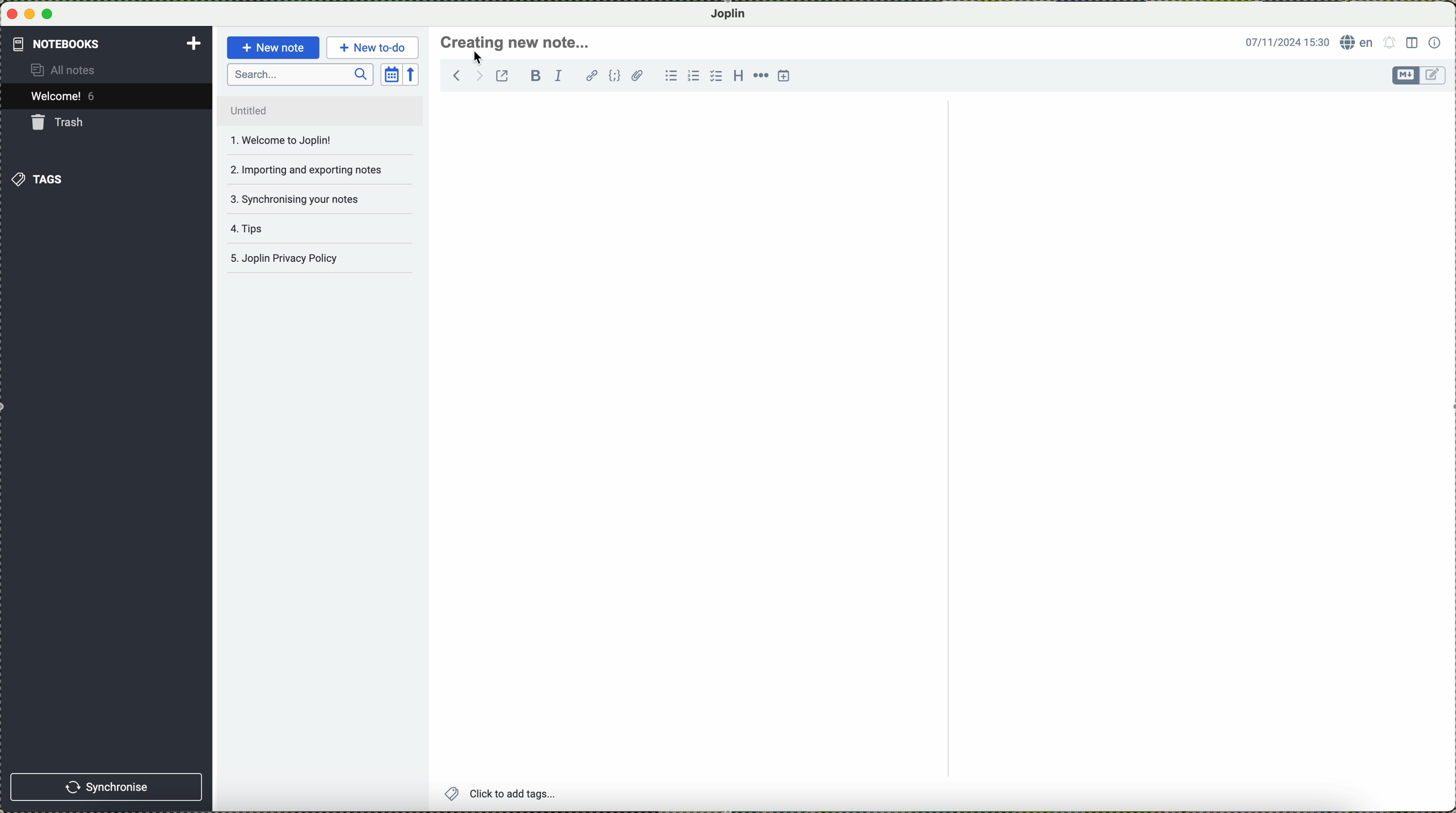 The width and height of the screenshot is (1456, 813). What do you see at coordinates (670, 76) in the screenshot?
I see `bulleted list` at bounding box center [670, 76].